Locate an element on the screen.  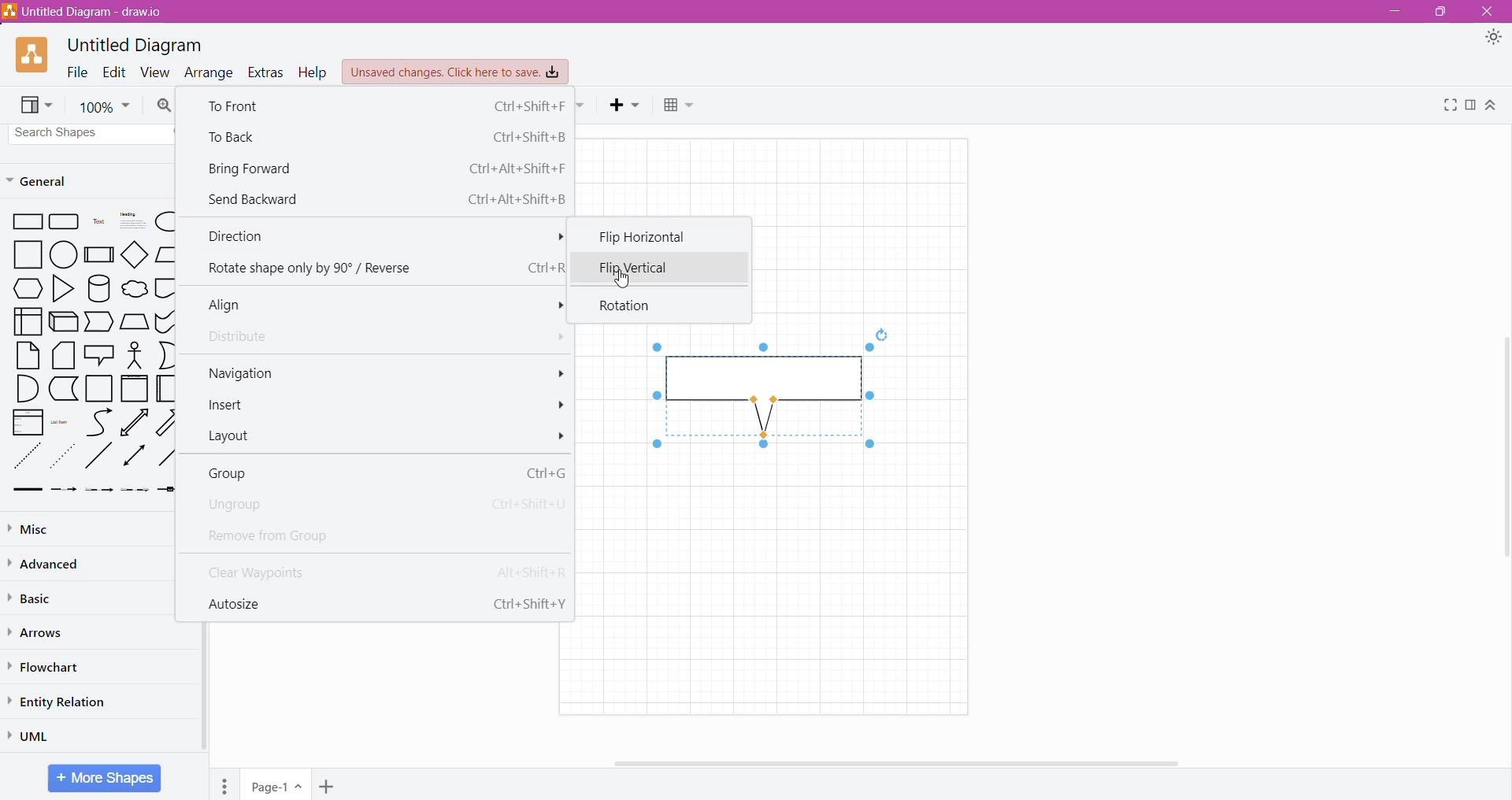
Ellipse is located at coordinates (164, 222).